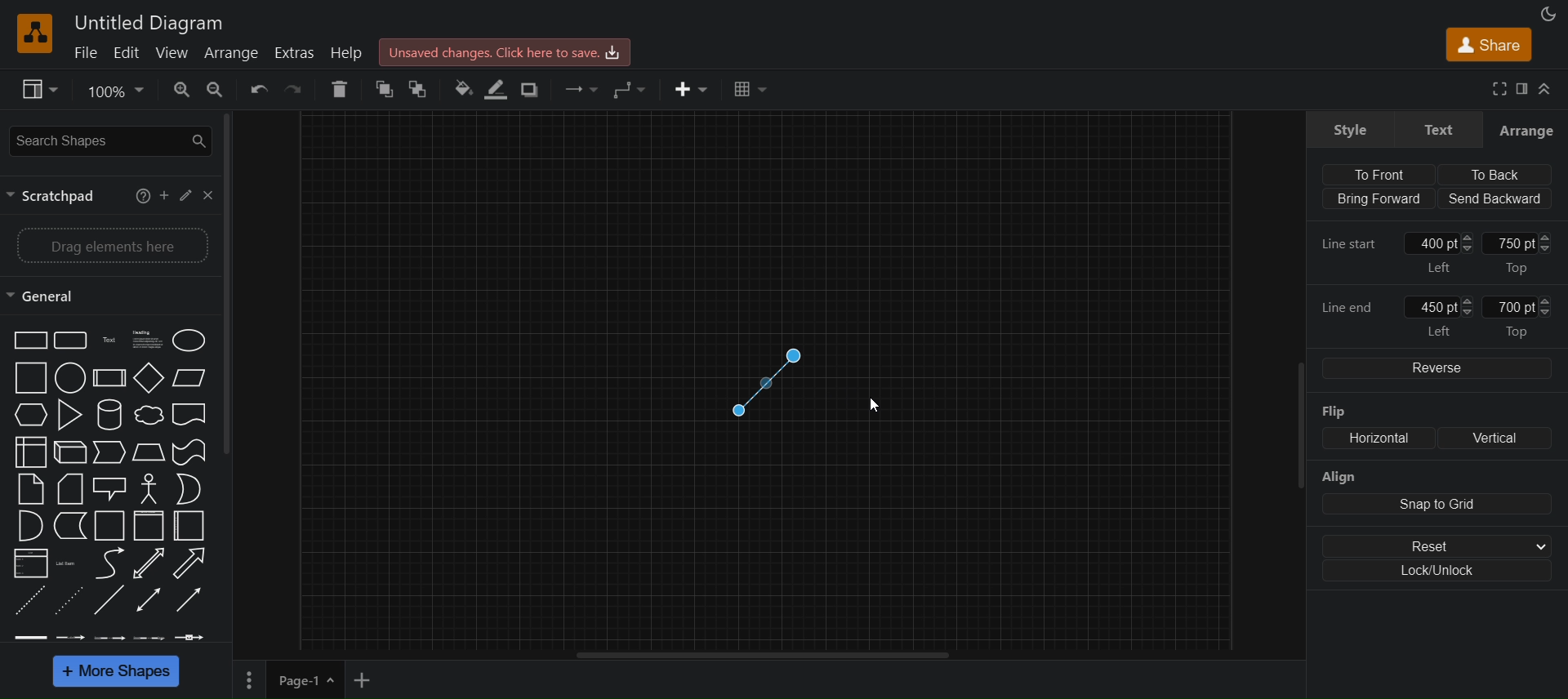 The height and width of the screenshot is (699, 1568). Describe the element at coordinates (457, 89) in the screenshot. I see `fill color` at that location.